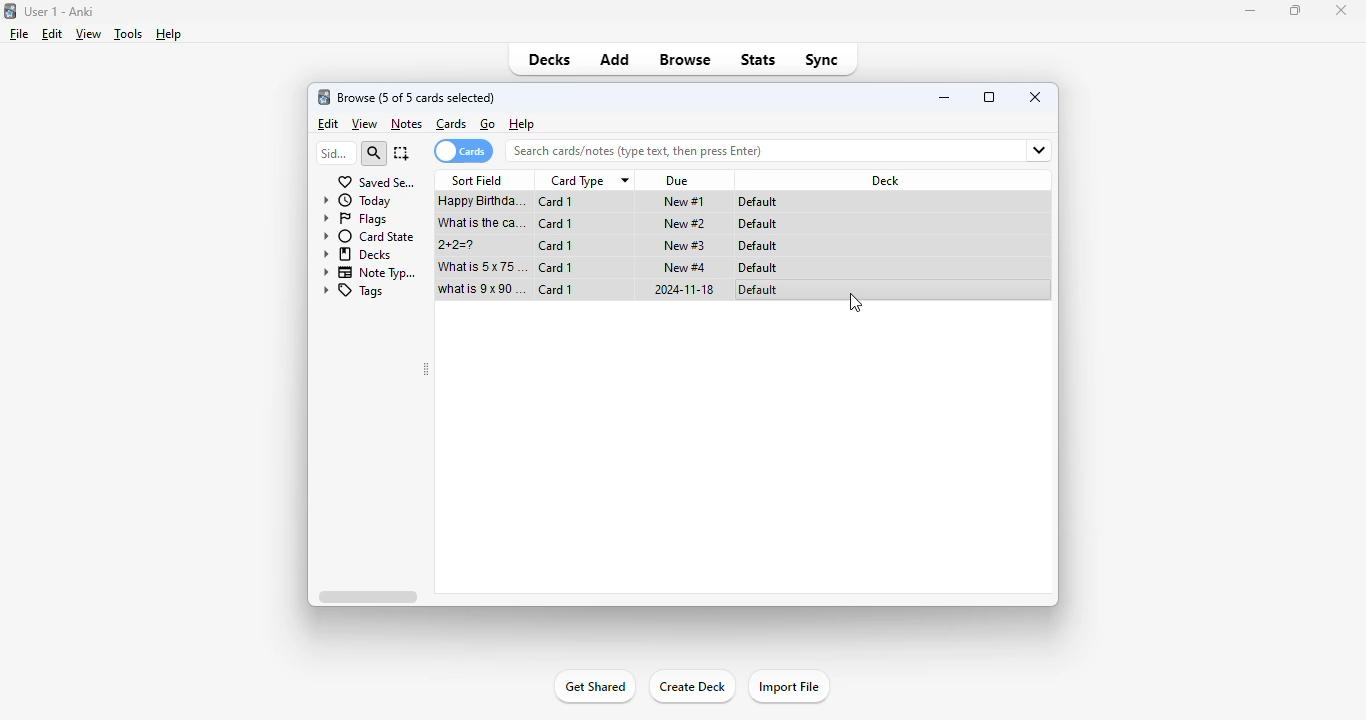 This screenshot has height=720, width=1366. Describe the element at coordinates (335, 153) in the screenshot. I see `sidebar filter` at that location.